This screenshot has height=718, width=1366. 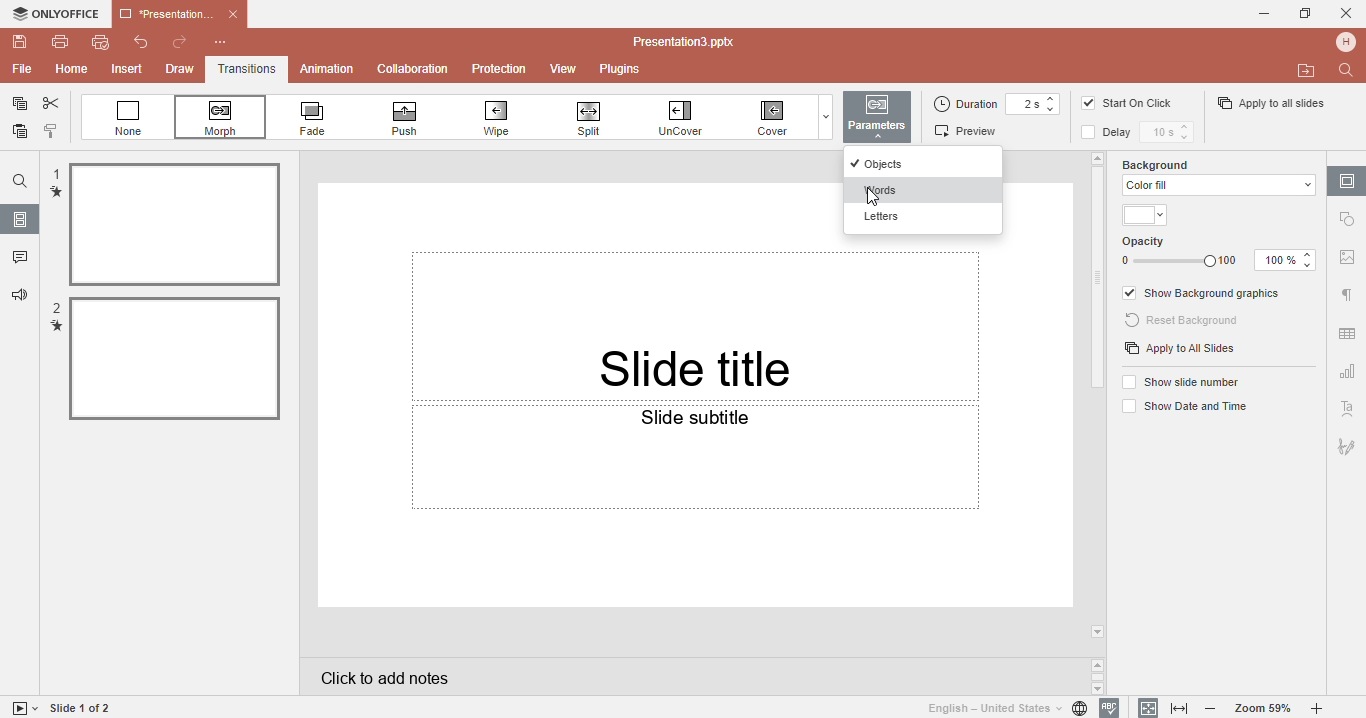 What do you see at coordinates (19, 259) in the screenshot?
I see `Comments` at bounding box center [19, 259].